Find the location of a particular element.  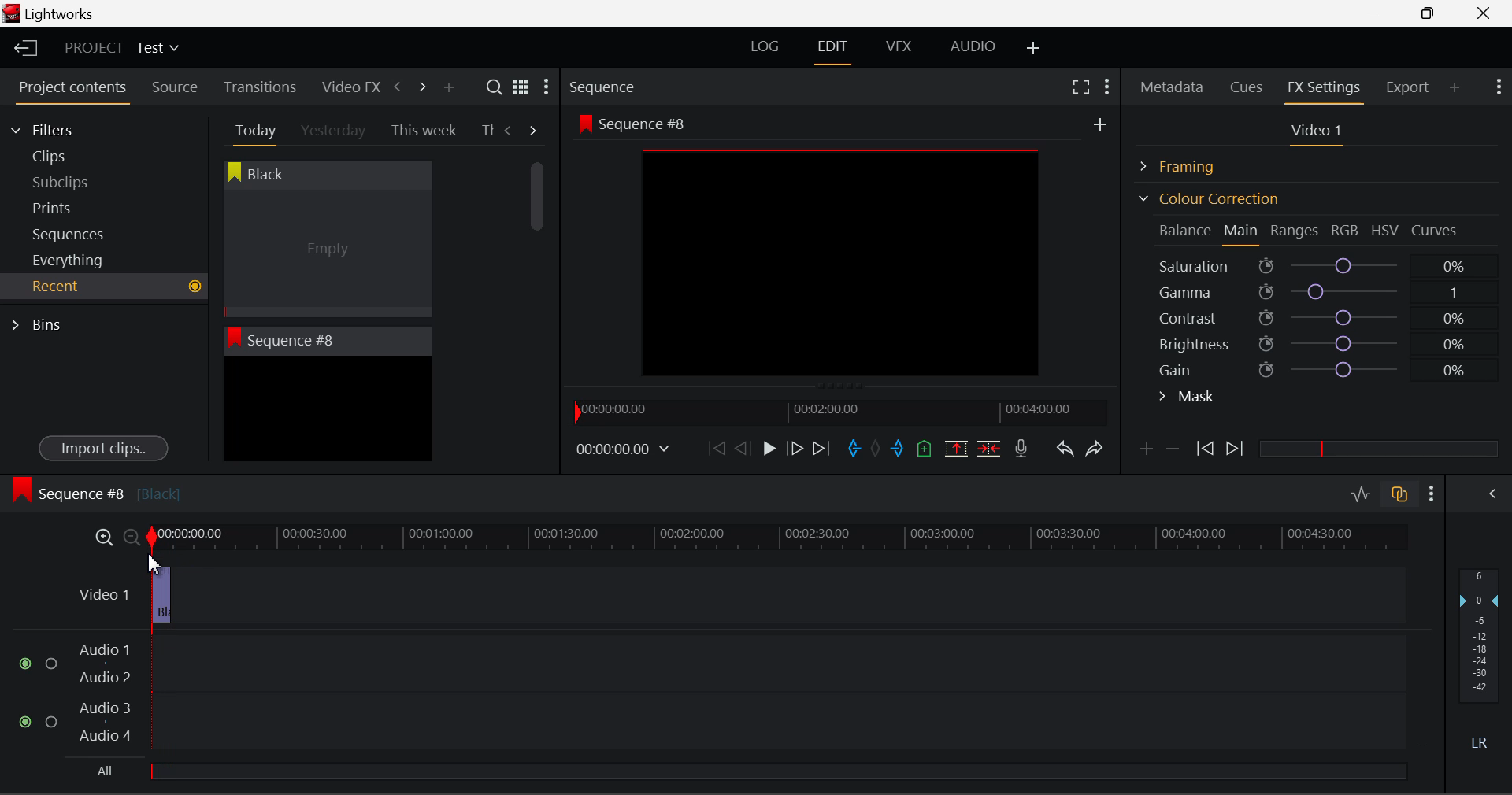

Timeline Zoom In is located at coordinates (101, 537).